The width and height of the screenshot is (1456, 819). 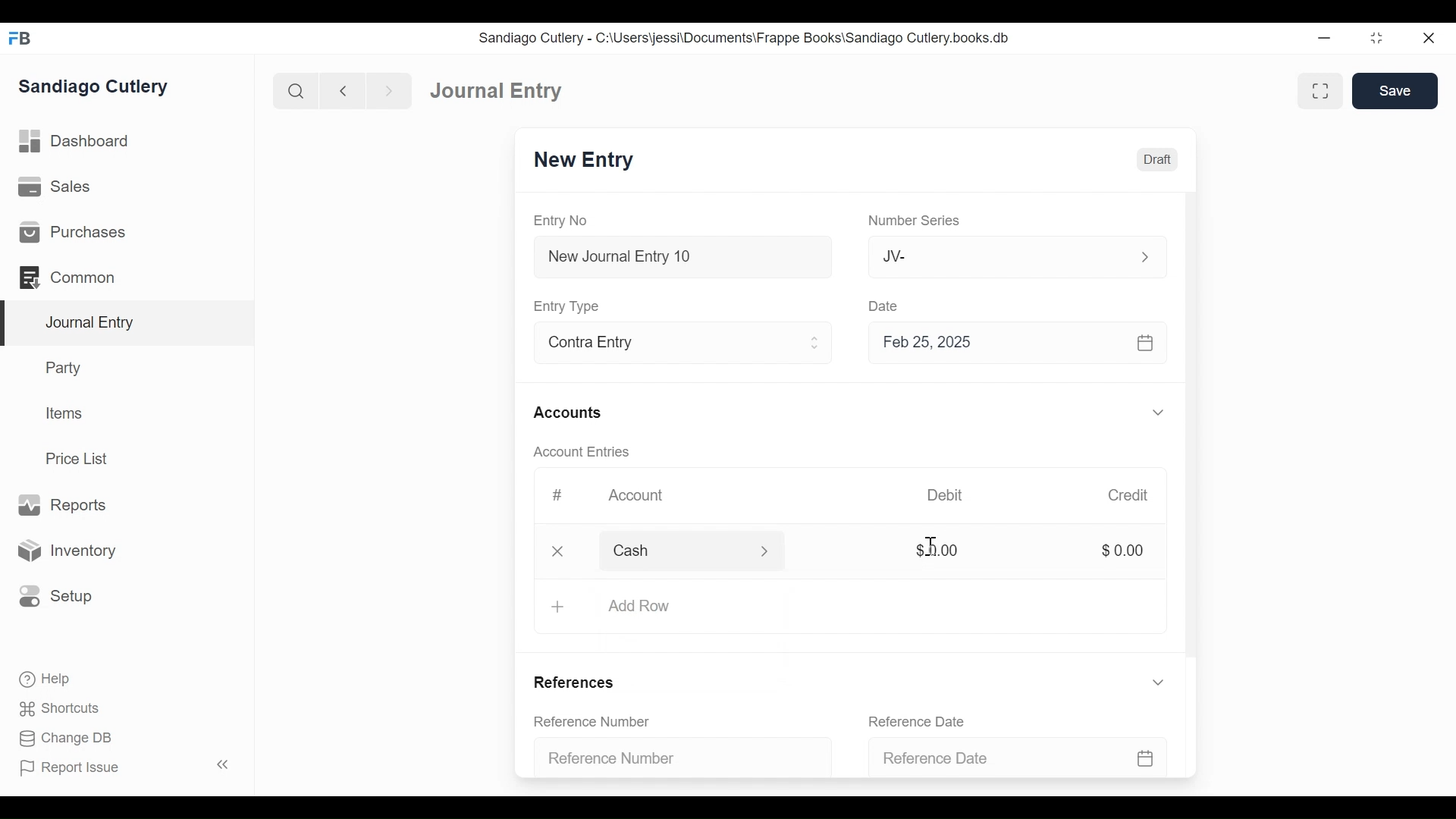 What do you see at coordinates (682, 256) in the screenshot?
I see `New Journal Entry 10` at bounding box center [682, 256].